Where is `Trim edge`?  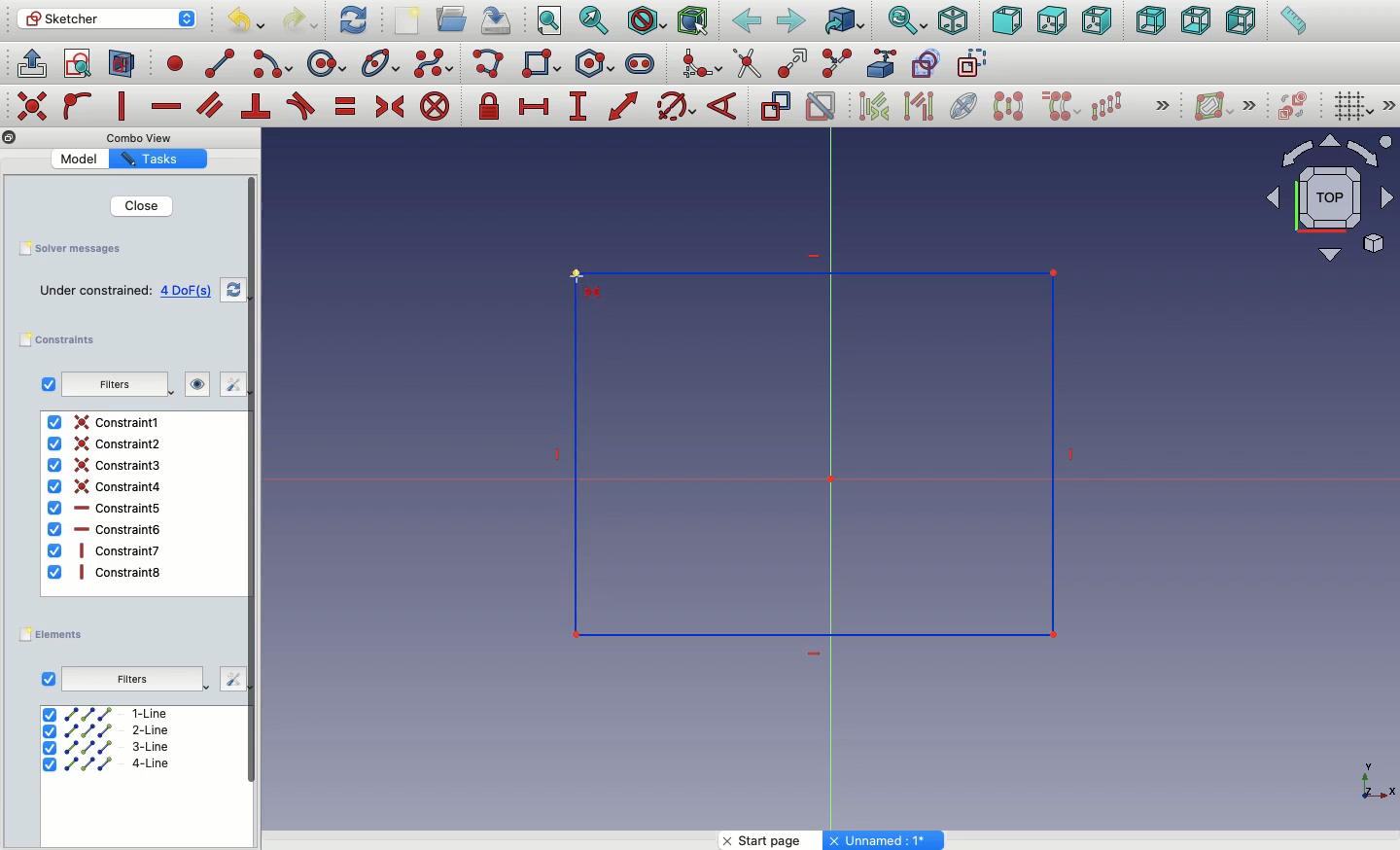
Trim edge is located at coordinates (748, 63).